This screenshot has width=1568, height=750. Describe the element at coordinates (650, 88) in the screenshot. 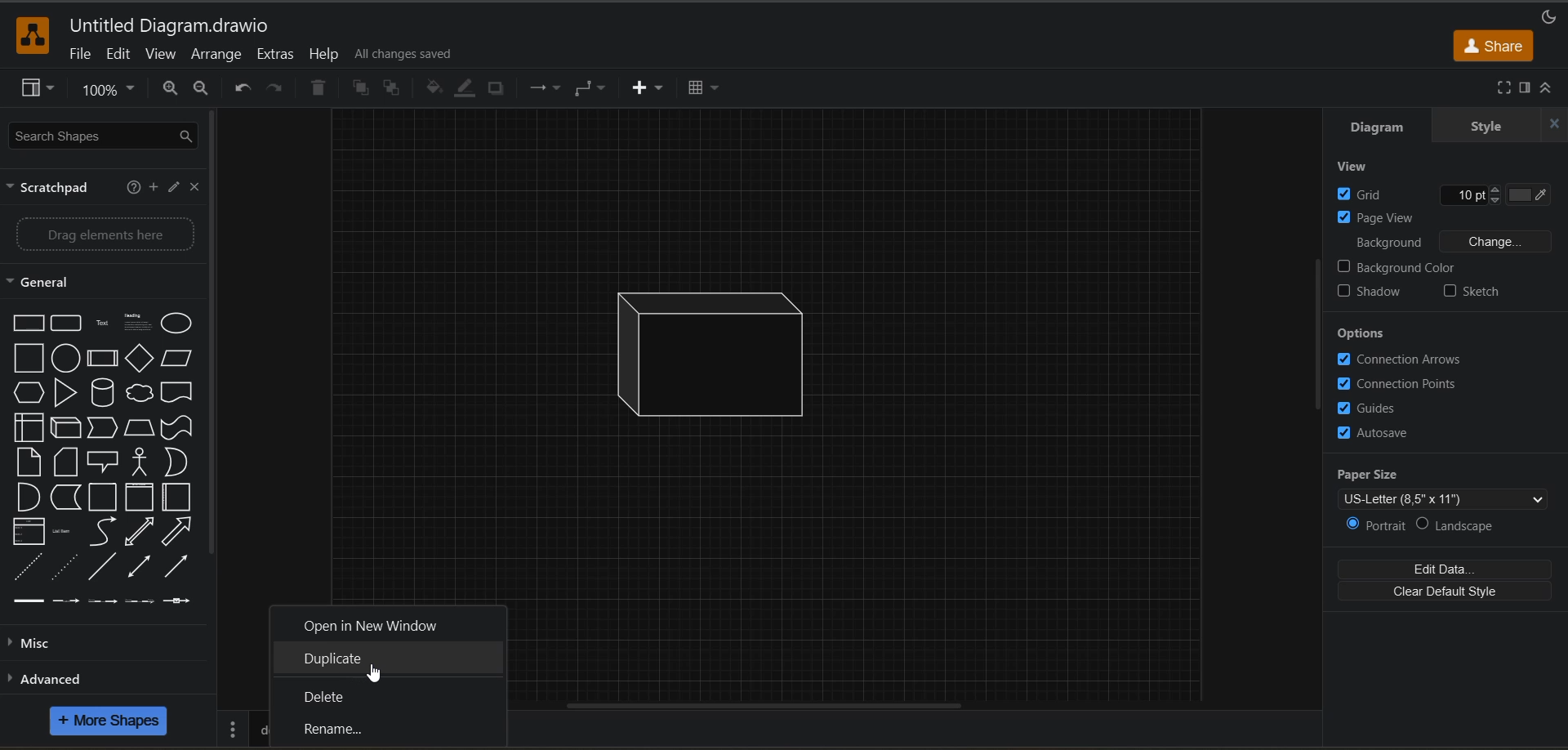

I see `insert` at that location.